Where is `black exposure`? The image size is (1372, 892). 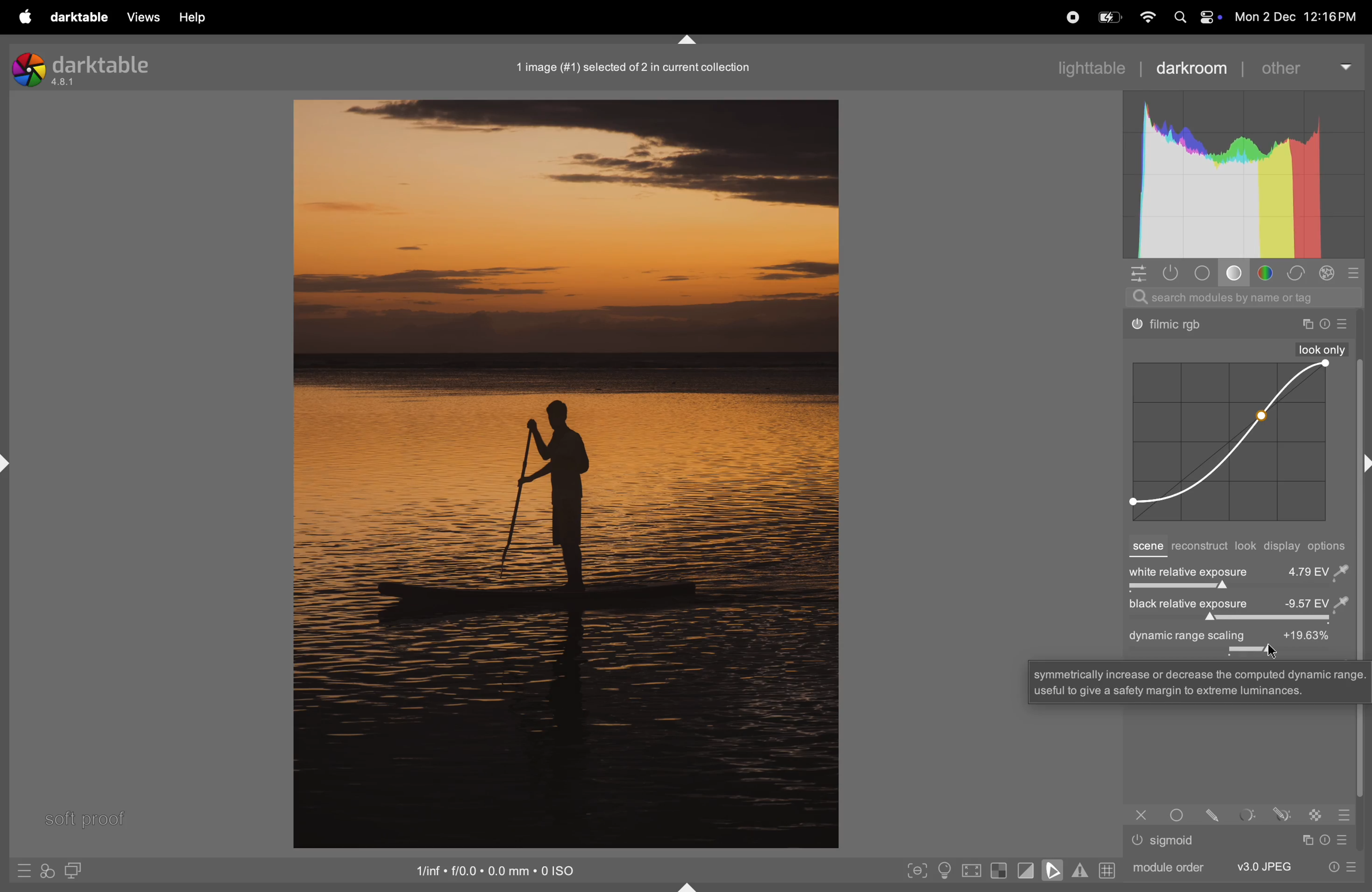
black exposure is located at coordinates (1237, 604).